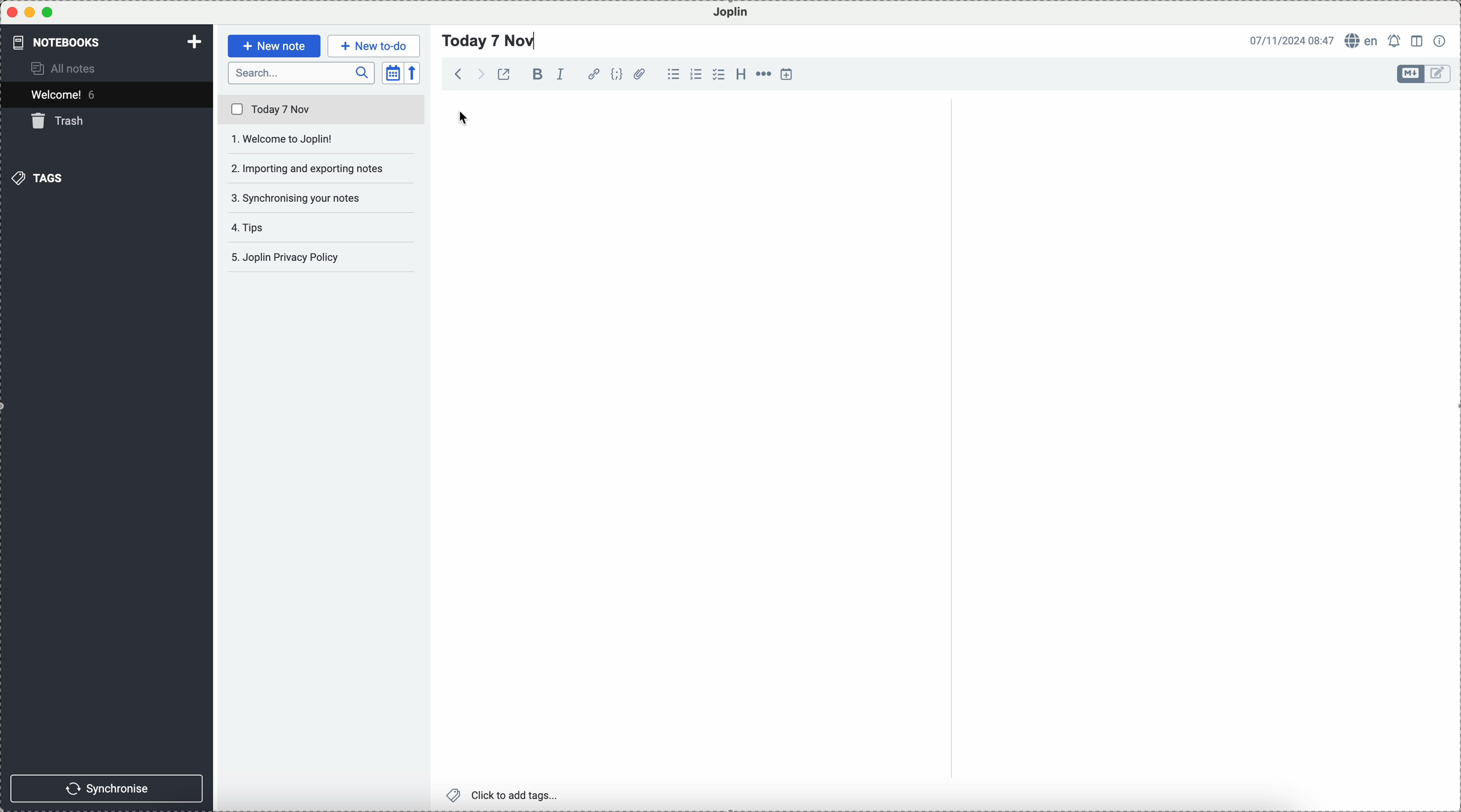 This screenshot has height=812, width=1461. I want to click on attach file, so click(640, 74).